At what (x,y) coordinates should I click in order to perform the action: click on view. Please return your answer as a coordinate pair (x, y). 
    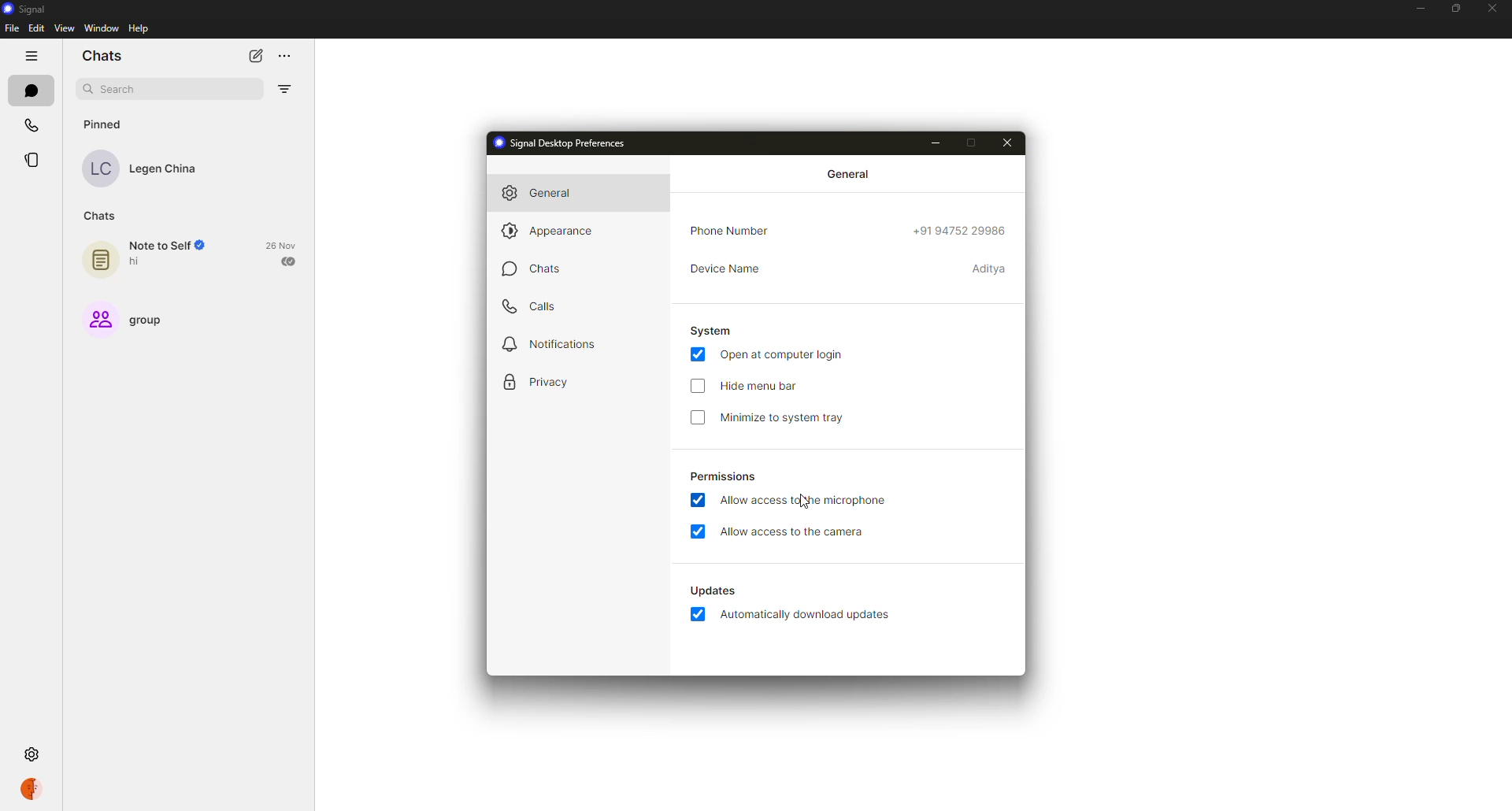
    Looking at the image, I should click on (65, 30).